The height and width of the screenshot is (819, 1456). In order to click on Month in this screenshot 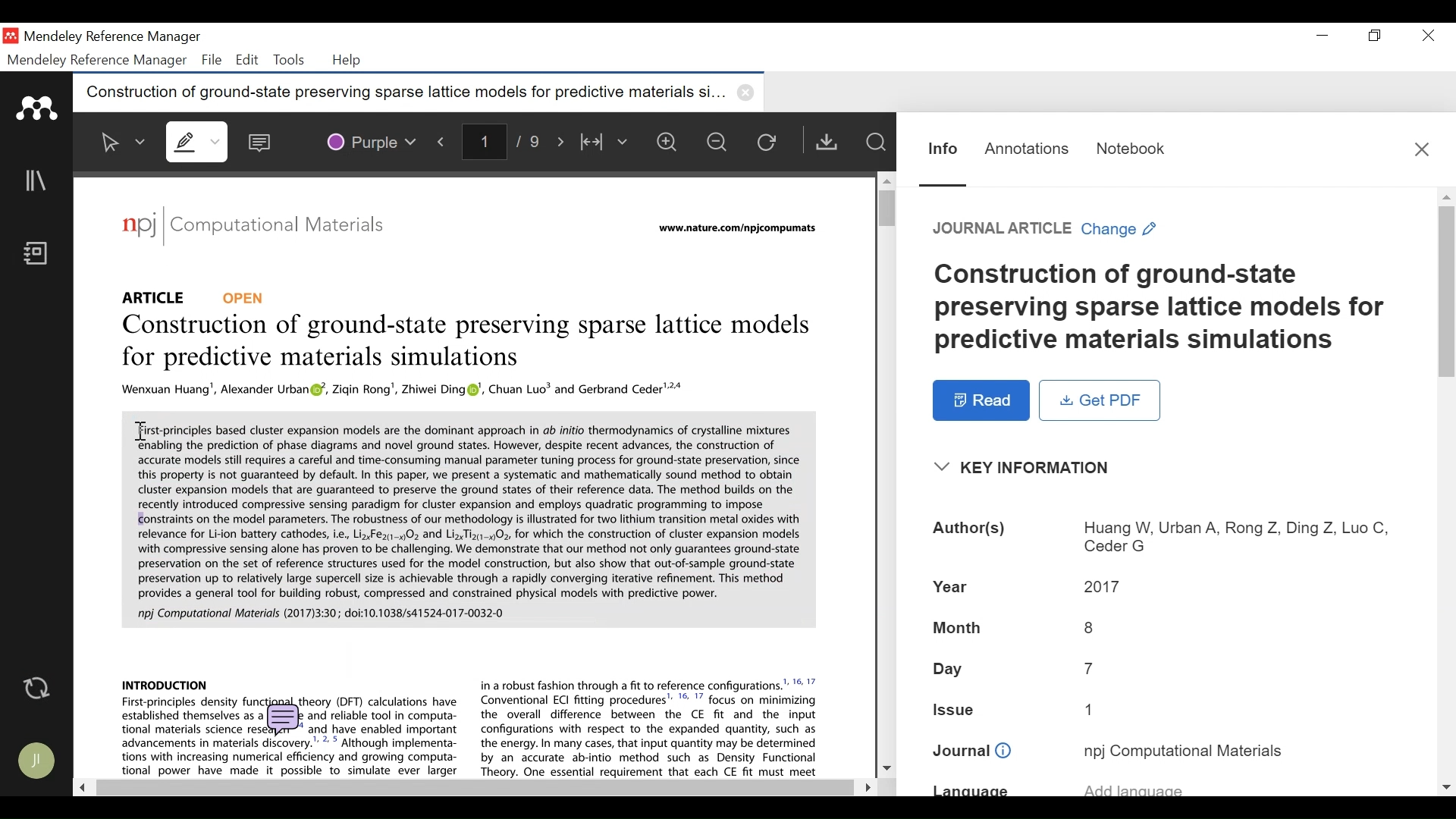, I will do `click(958, 629)`.